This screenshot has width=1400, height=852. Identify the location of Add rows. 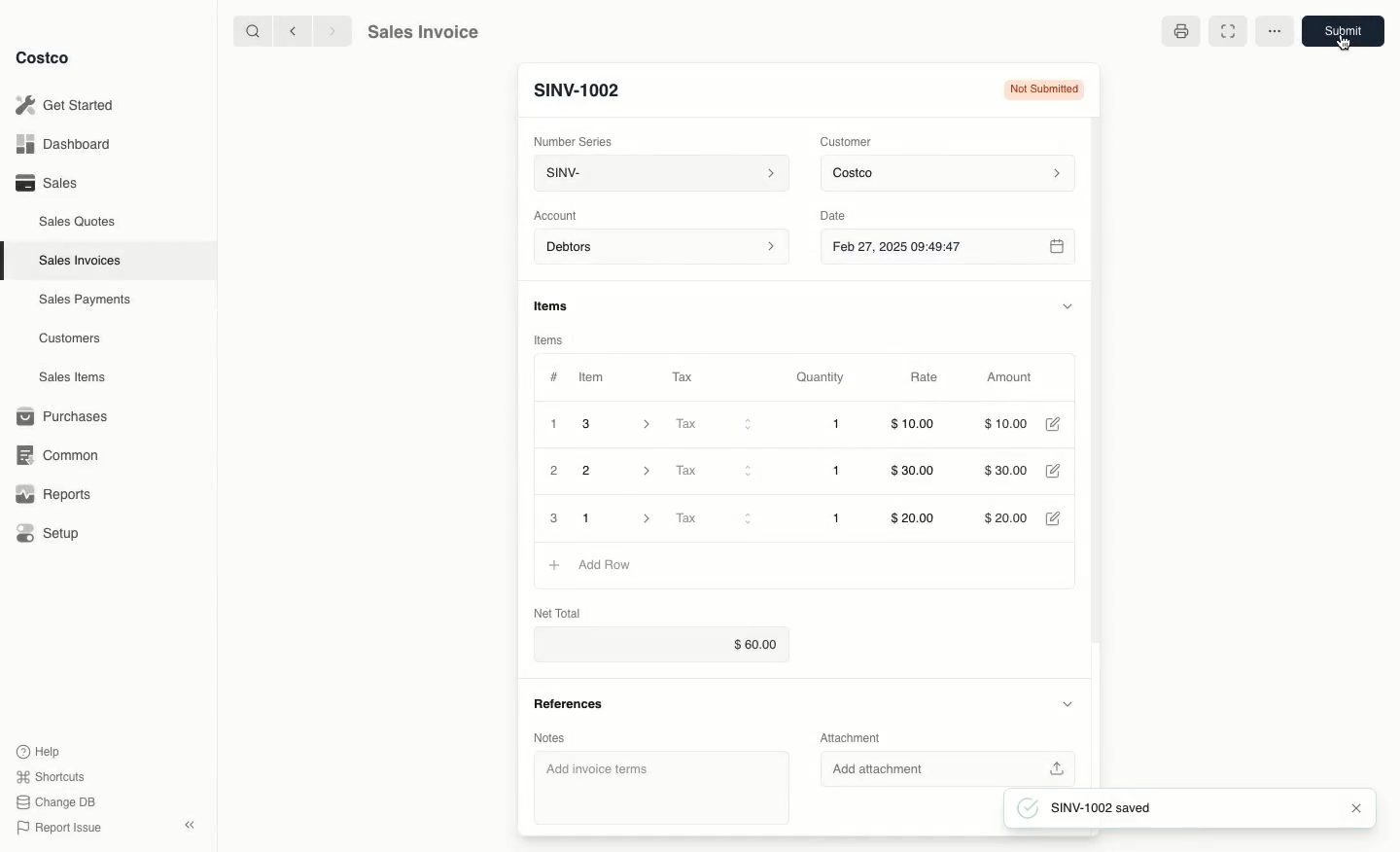
(605, 564).